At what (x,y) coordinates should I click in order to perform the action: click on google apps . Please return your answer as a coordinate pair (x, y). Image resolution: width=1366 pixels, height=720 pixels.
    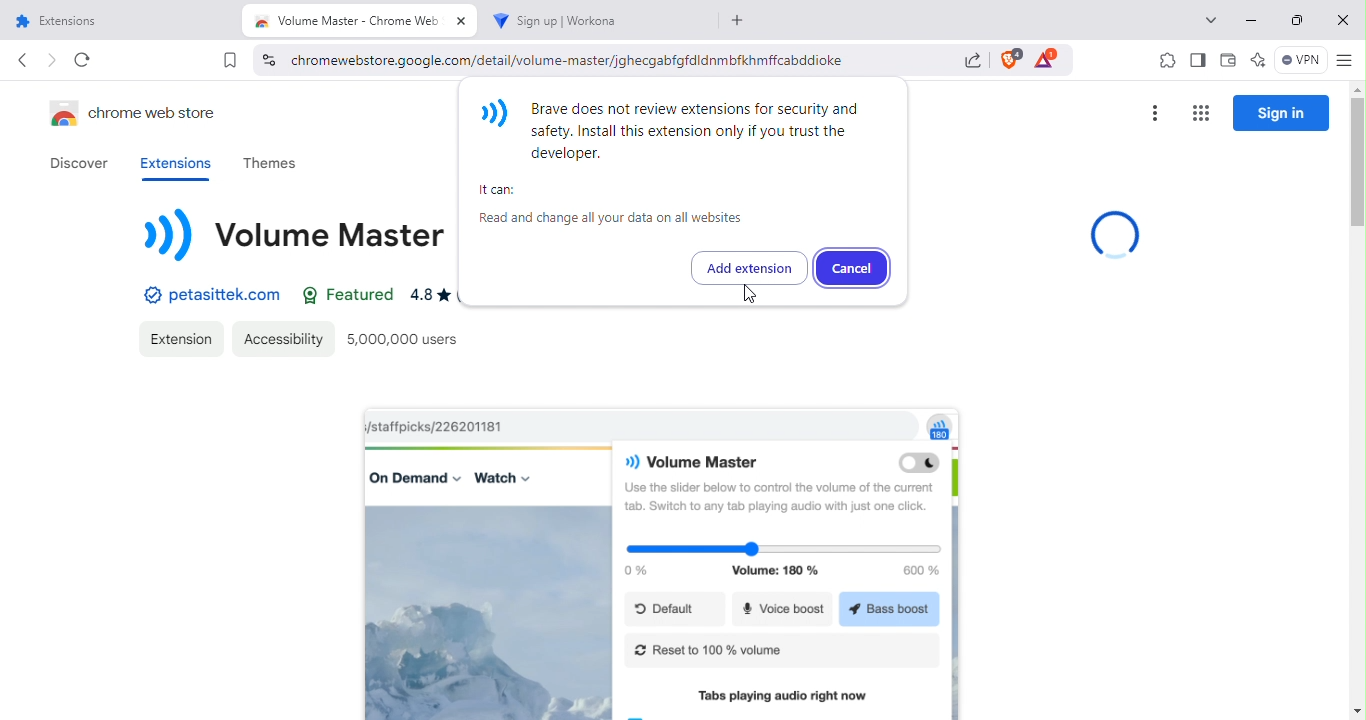
    Looking at the image, I should click on (1202, 110).